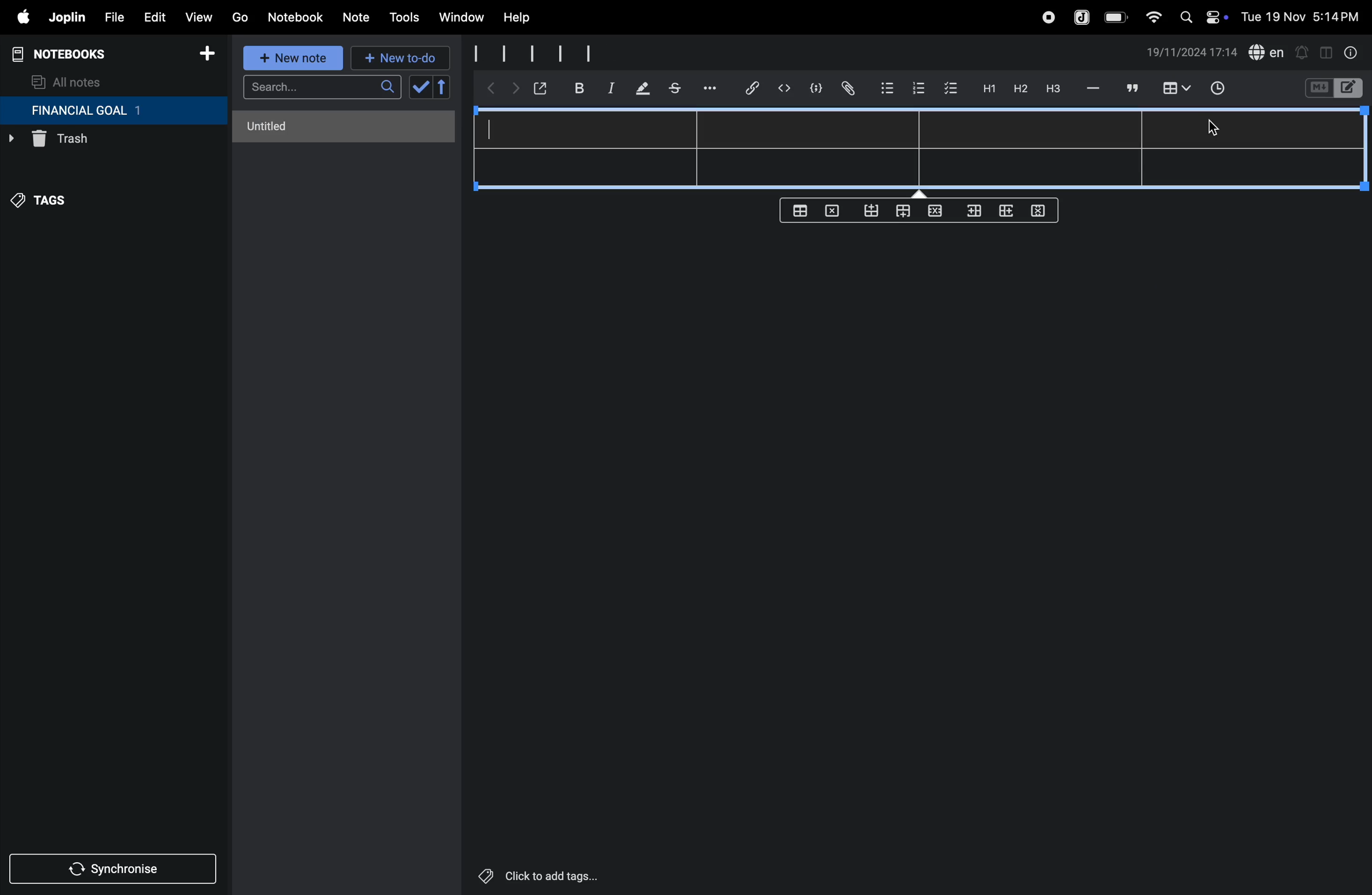 This screenshot has width=1372, height=895. I want to click on close rows, so click(933, 213).